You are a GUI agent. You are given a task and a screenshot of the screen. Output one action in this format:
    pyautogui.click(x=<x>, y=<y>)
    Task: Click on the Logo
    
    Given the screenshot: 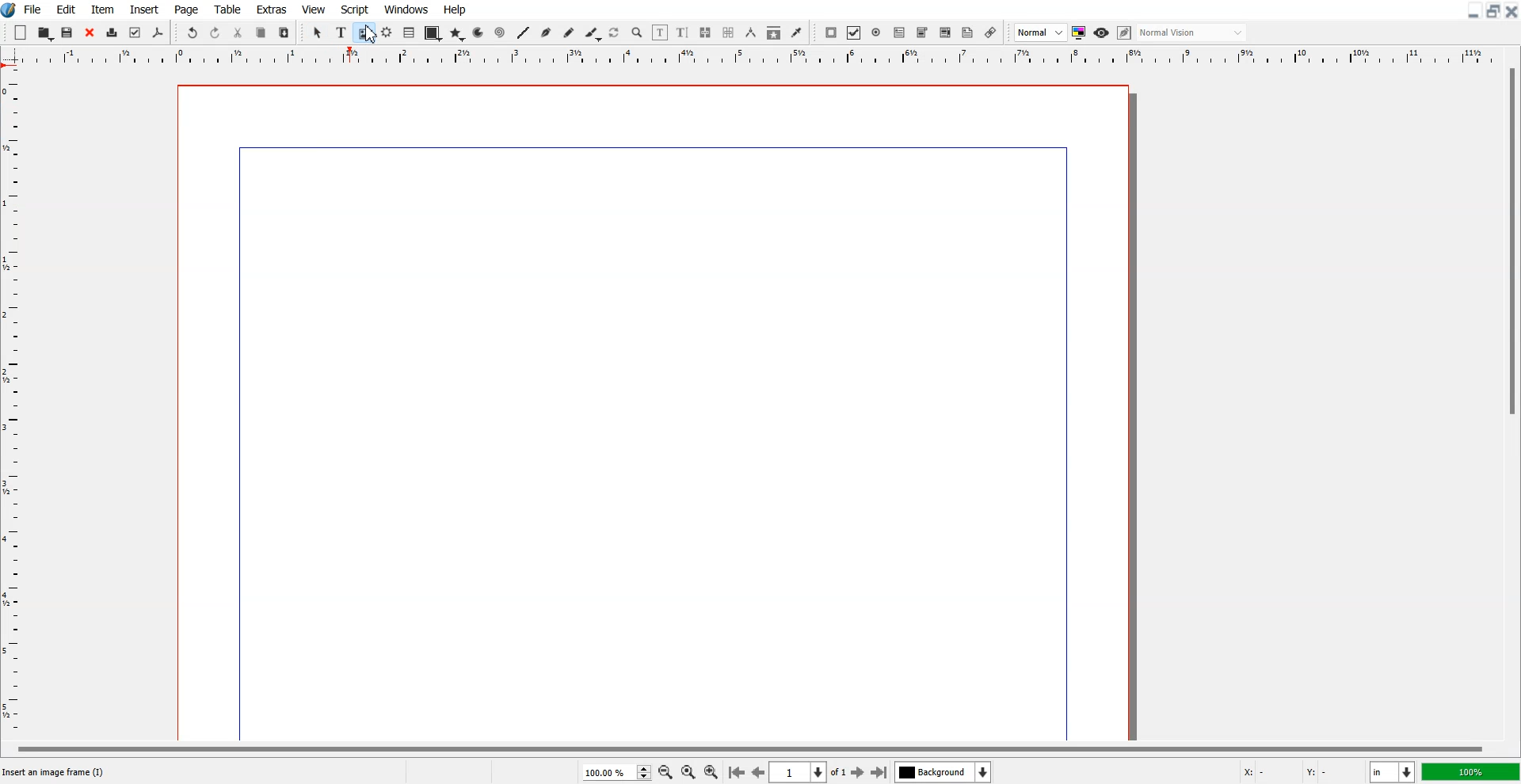 What is the action you would take?
    pyautogui.click(x=10, y=10)
    